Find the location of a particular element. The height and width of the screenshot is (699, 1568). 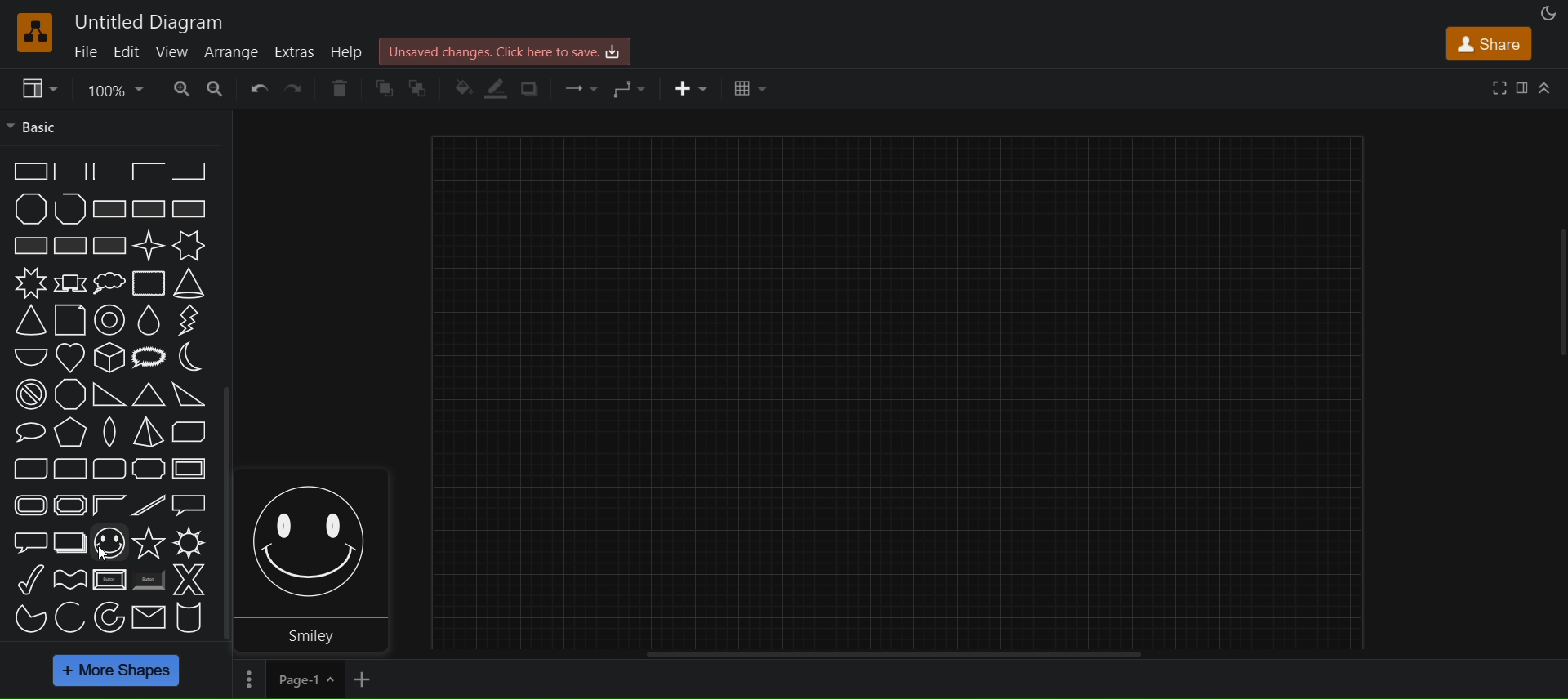

partial rectangle is located at coordinates (69, 171).